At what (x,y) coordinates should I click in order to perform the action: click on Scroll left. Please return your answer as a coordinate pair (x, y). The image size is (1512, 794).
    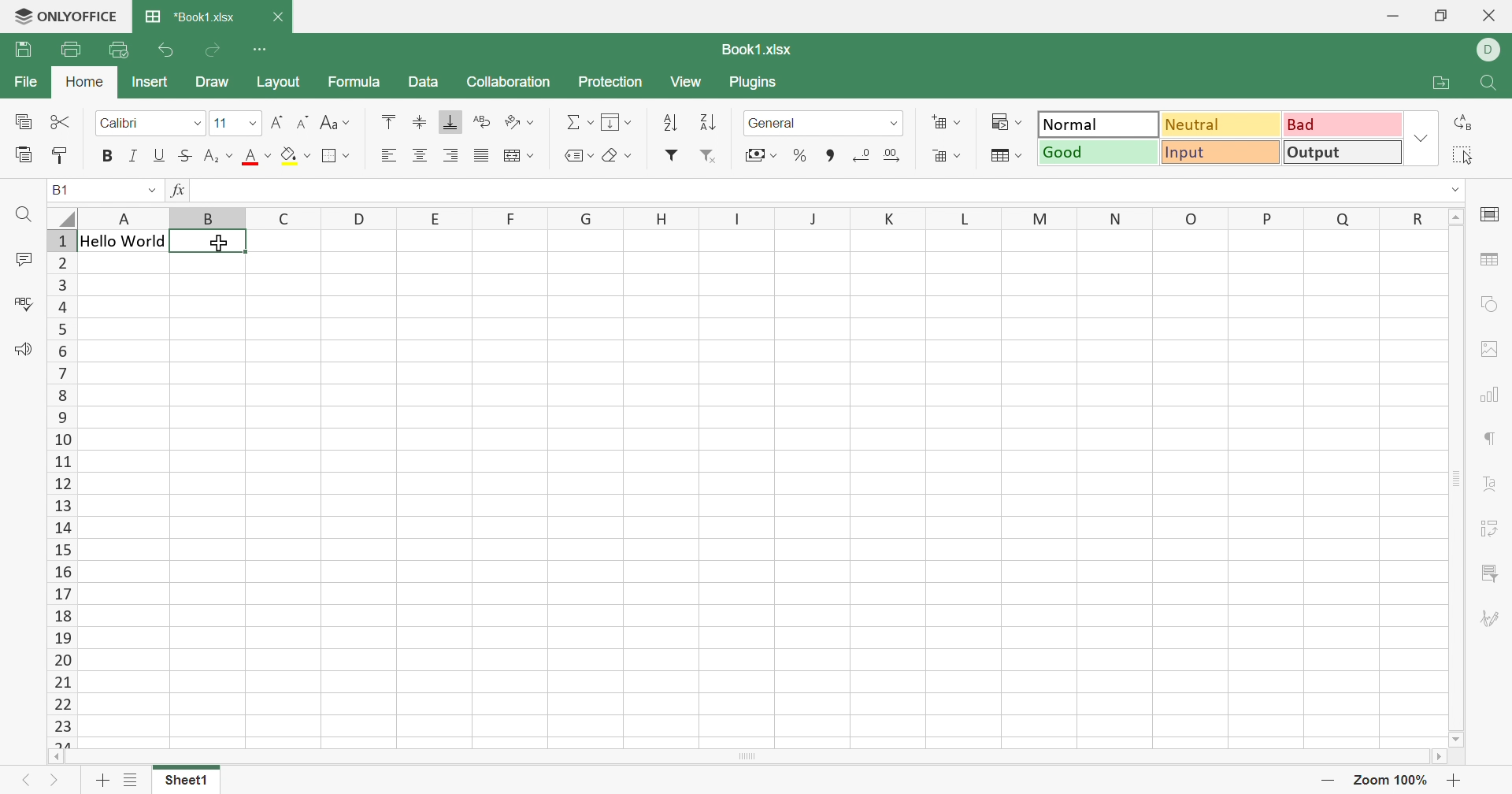
    Looking at the image, I should click on (54, 757).